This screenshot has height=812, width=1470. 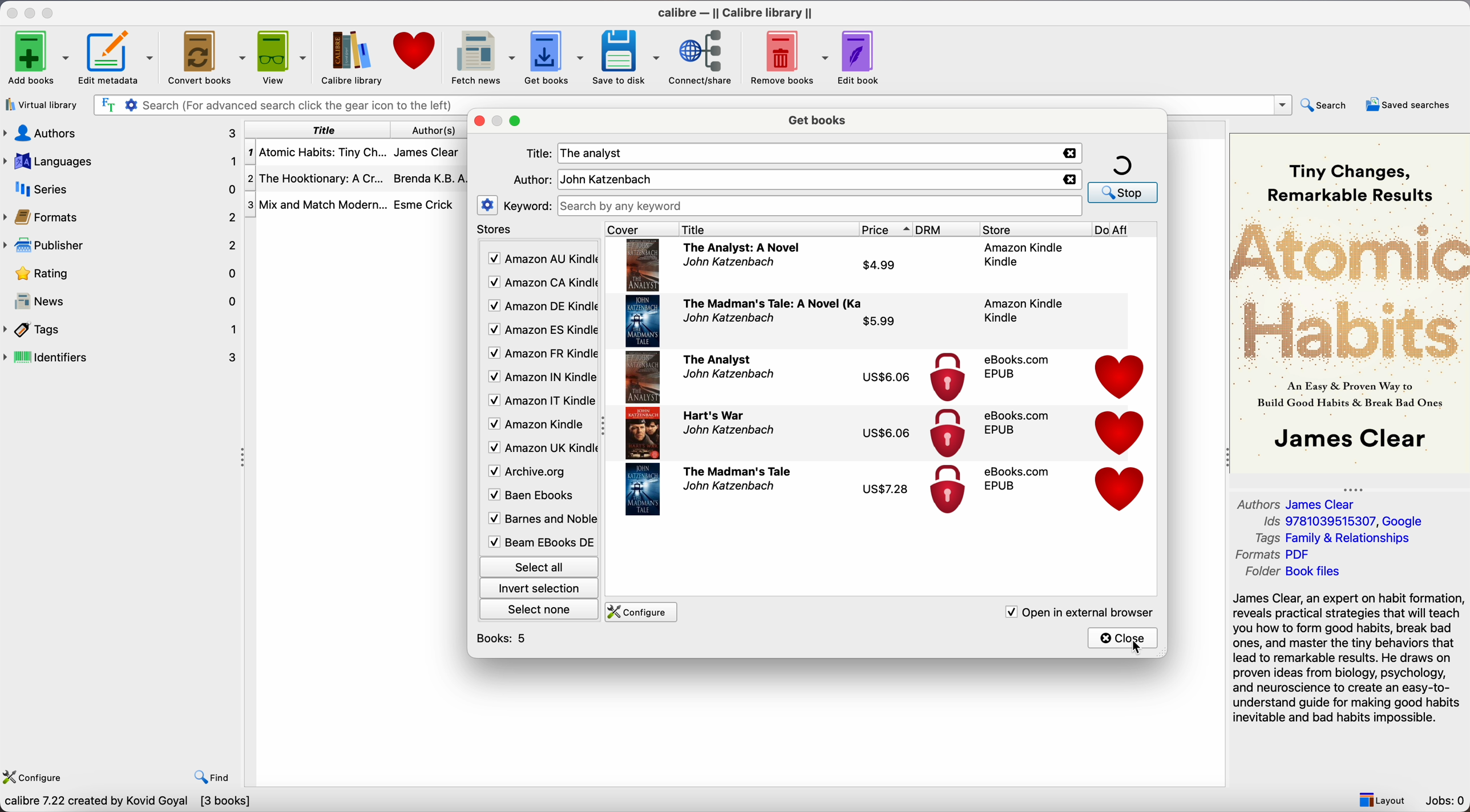 I want to click on Book cover page, so click(x=643, y=377).